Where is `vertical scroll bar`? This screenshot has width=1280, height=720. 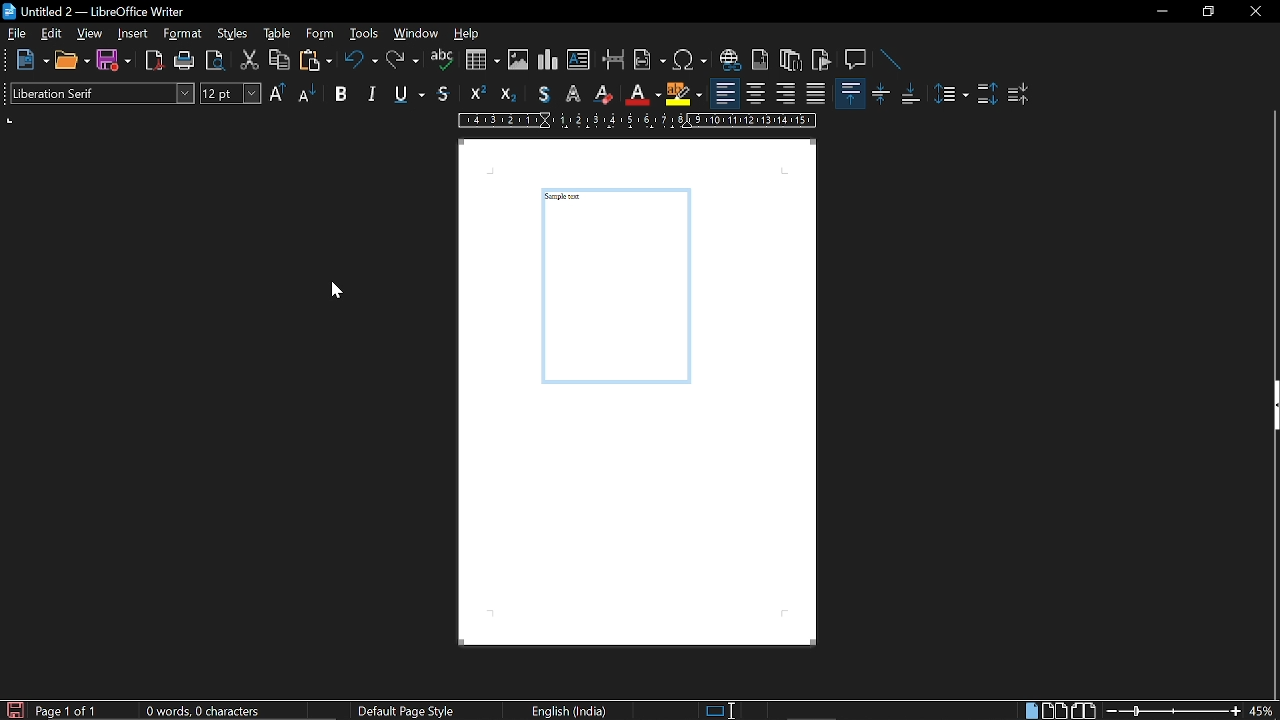
vertical scroll bar is located at coordinates (1272, 567).